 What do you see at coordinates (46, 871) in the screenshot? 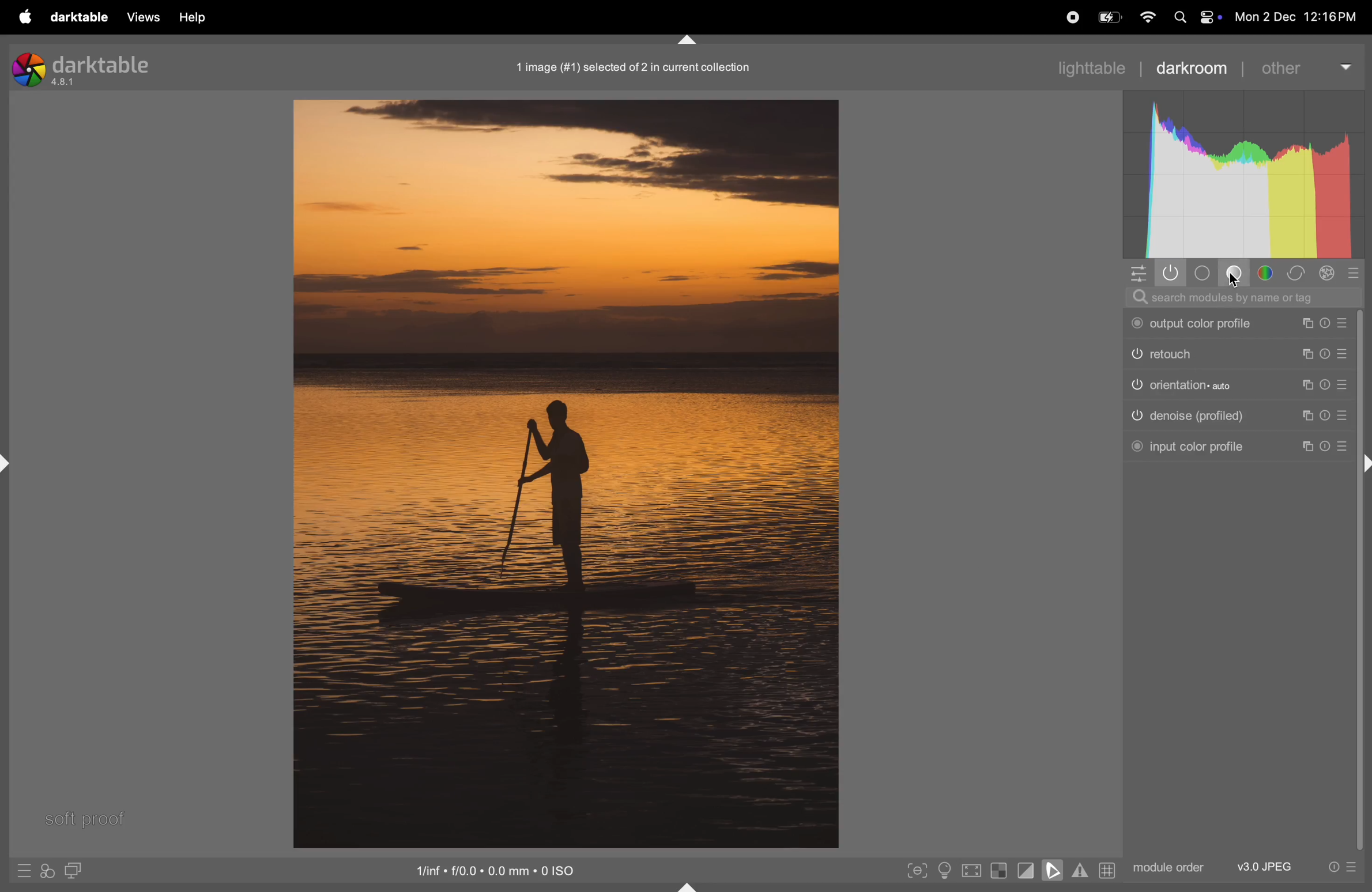
I see `quick acess to apply your styles` at bounding box center [46, 871].